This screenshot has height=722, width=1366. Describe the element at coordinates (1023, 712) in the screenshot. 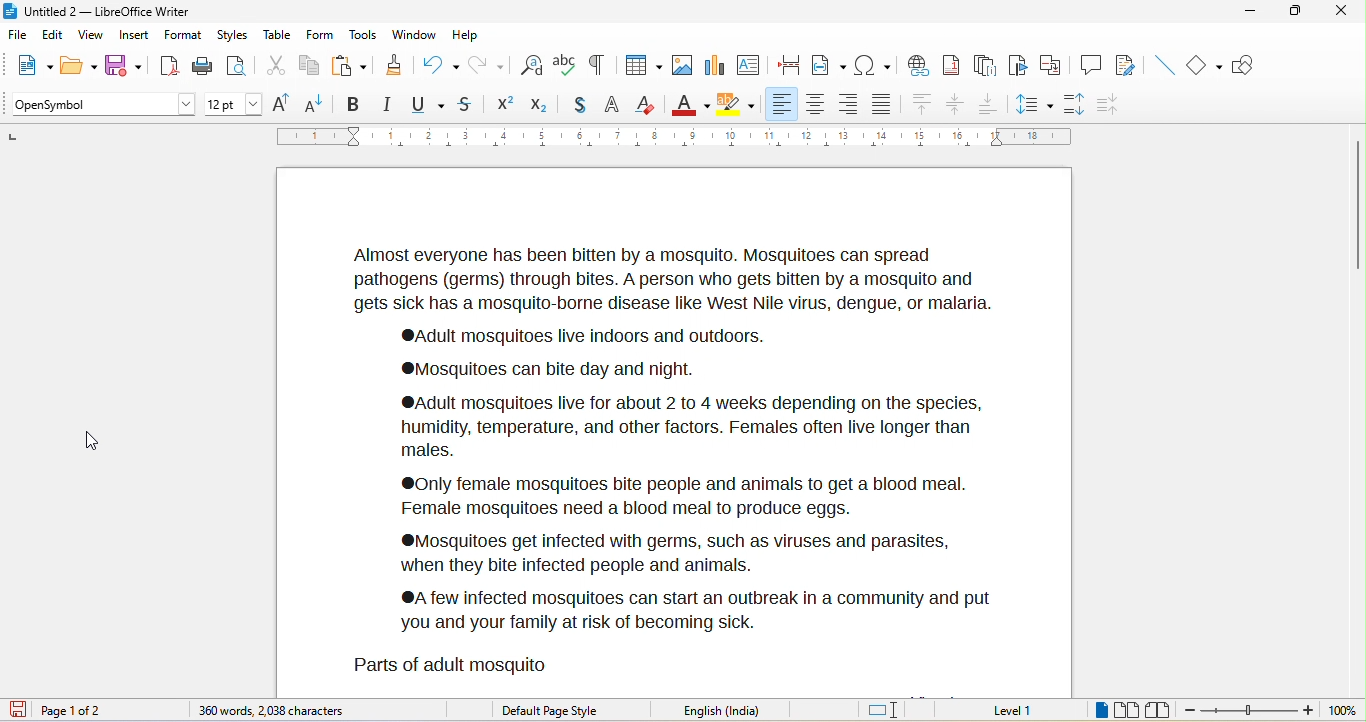

I see `level 1` at that location.